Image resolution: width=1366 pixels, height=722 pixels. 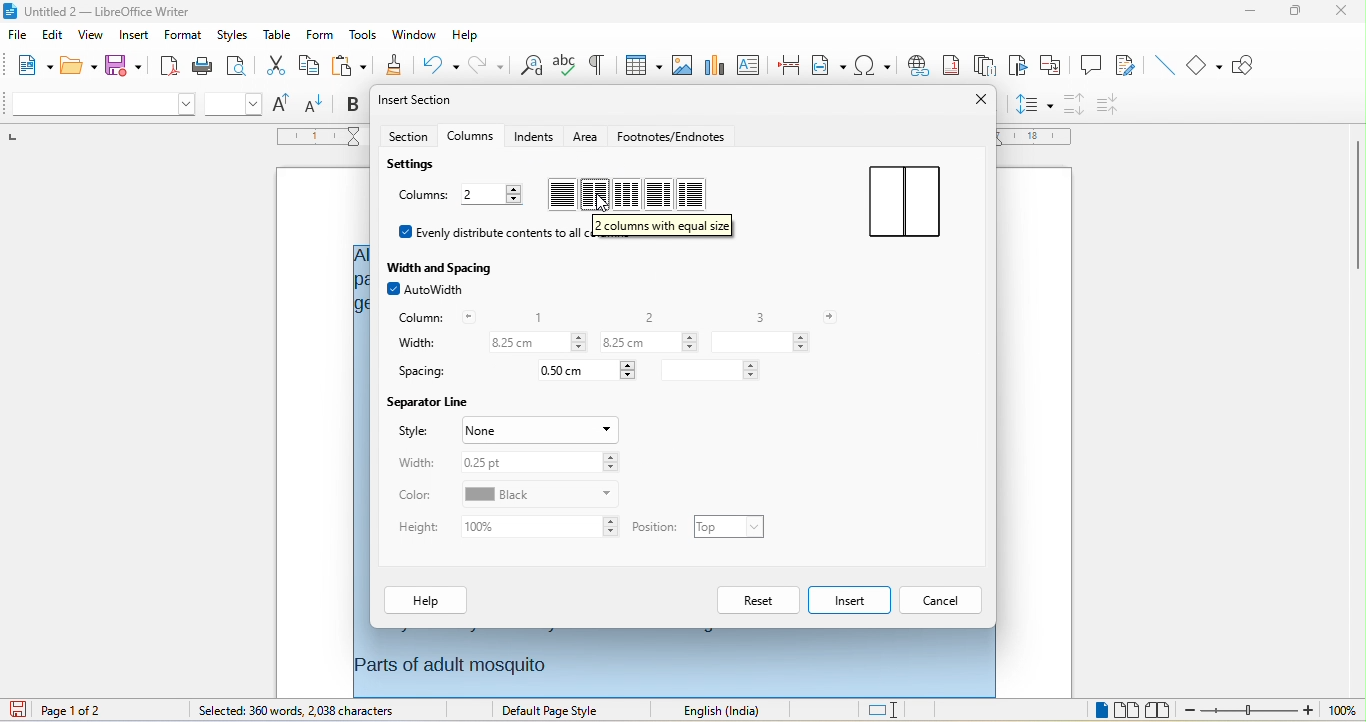 I want to click on increase size, so click(x=284, y=102).